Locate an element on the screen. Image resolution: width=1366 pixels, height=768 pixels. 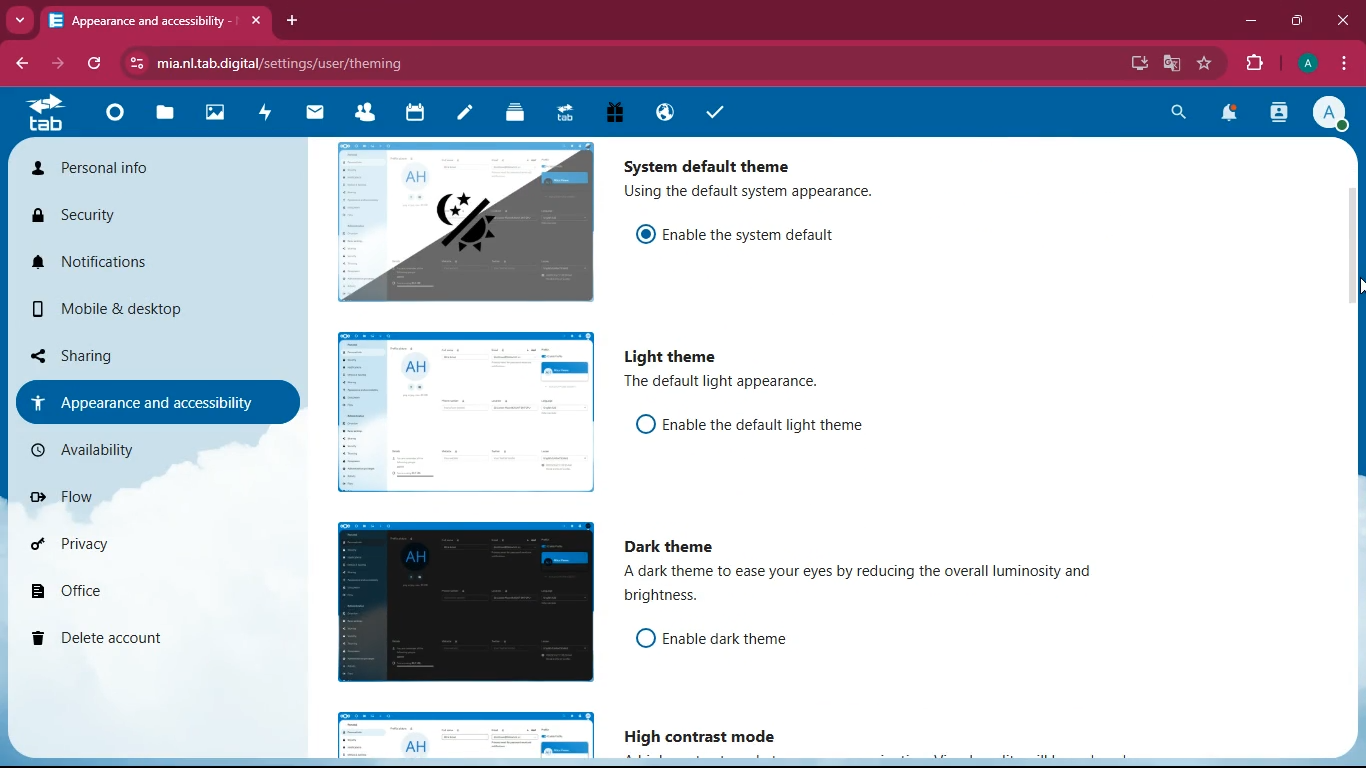
light theme is located at coordinates (675, 358).